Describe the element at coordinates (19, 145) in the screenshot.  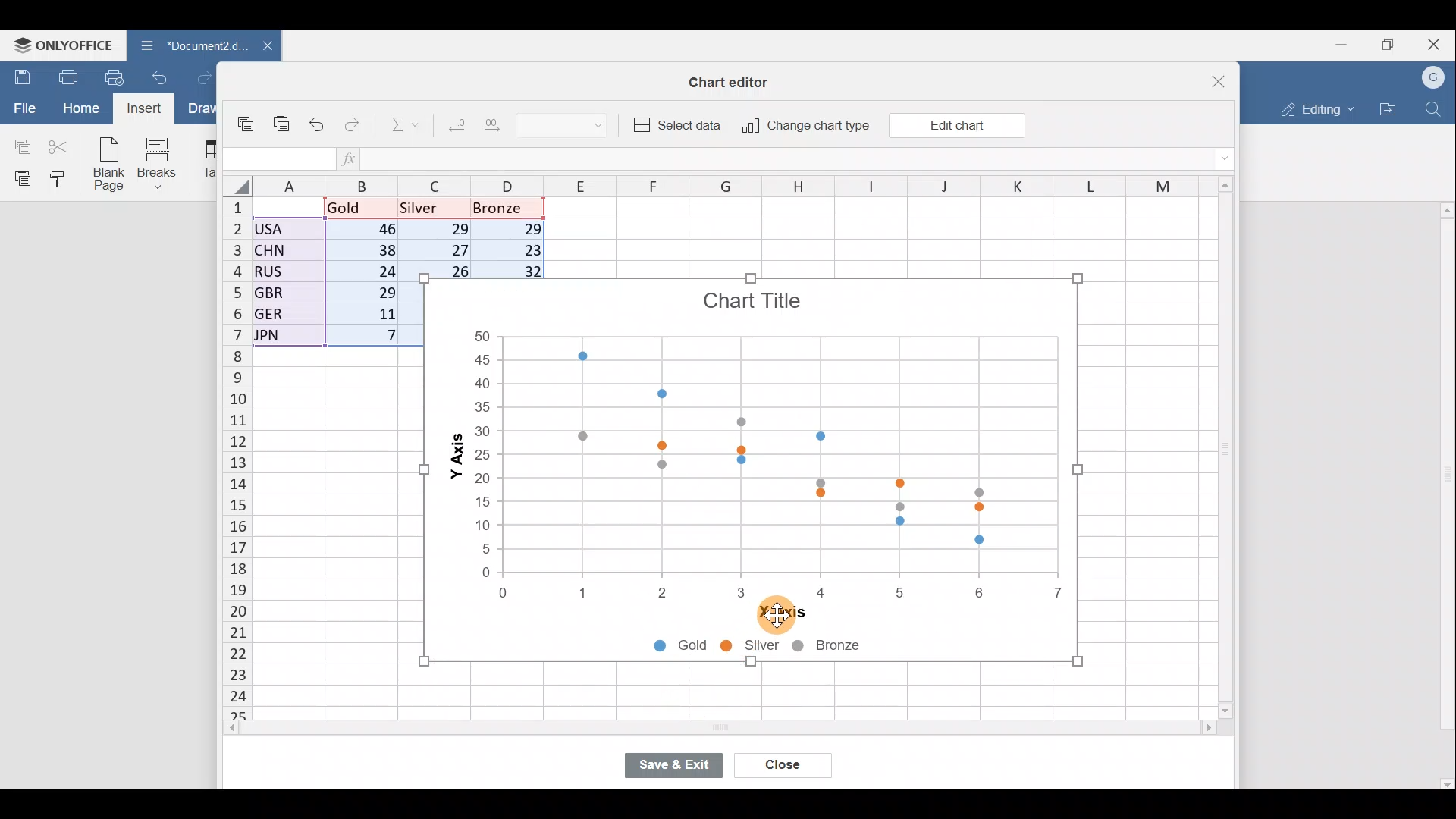
I see `Copy` at that location.